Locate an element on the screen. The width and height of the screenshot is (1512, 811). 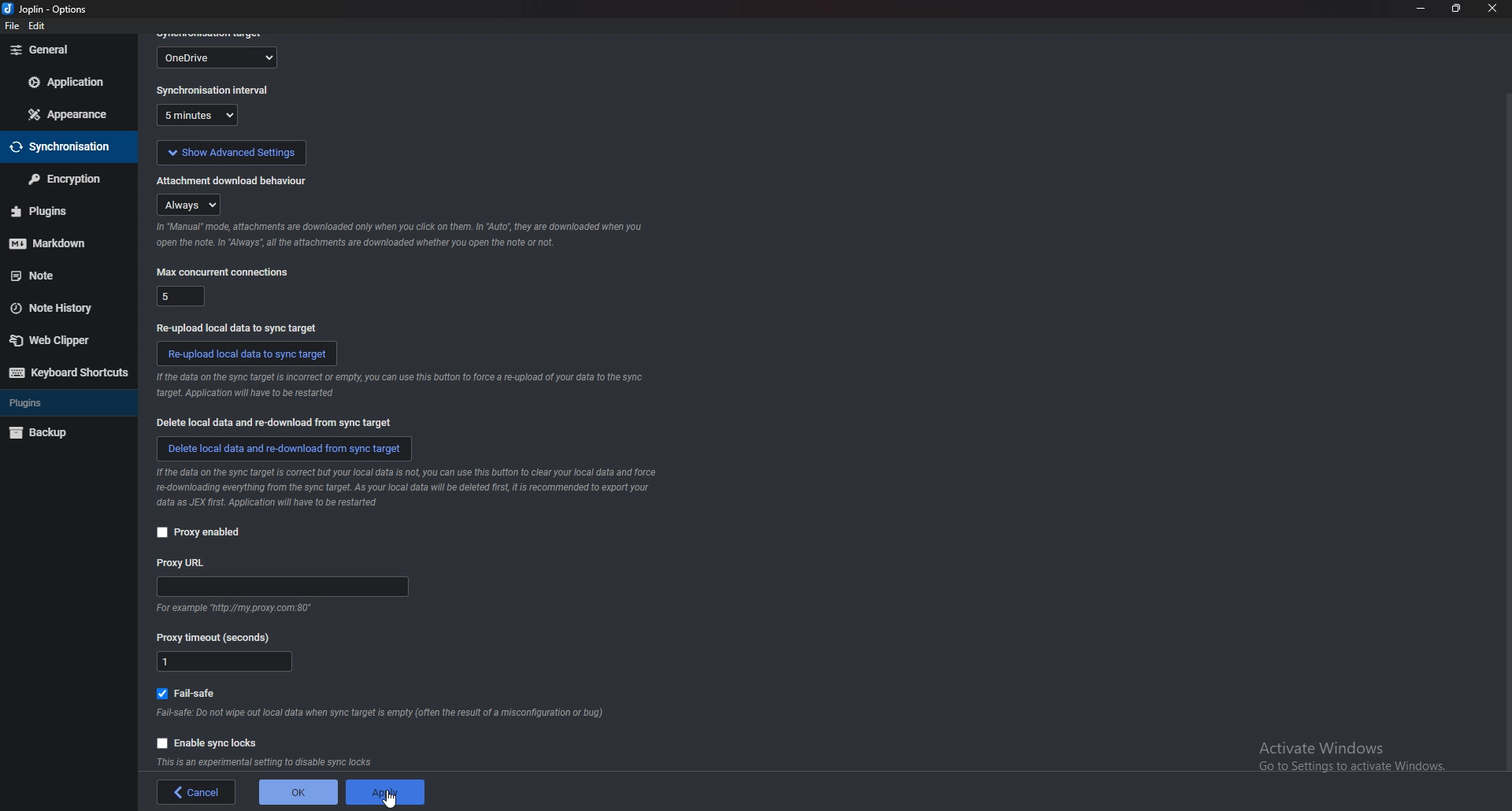
scroll bar is located at coordinates (1506, 433).